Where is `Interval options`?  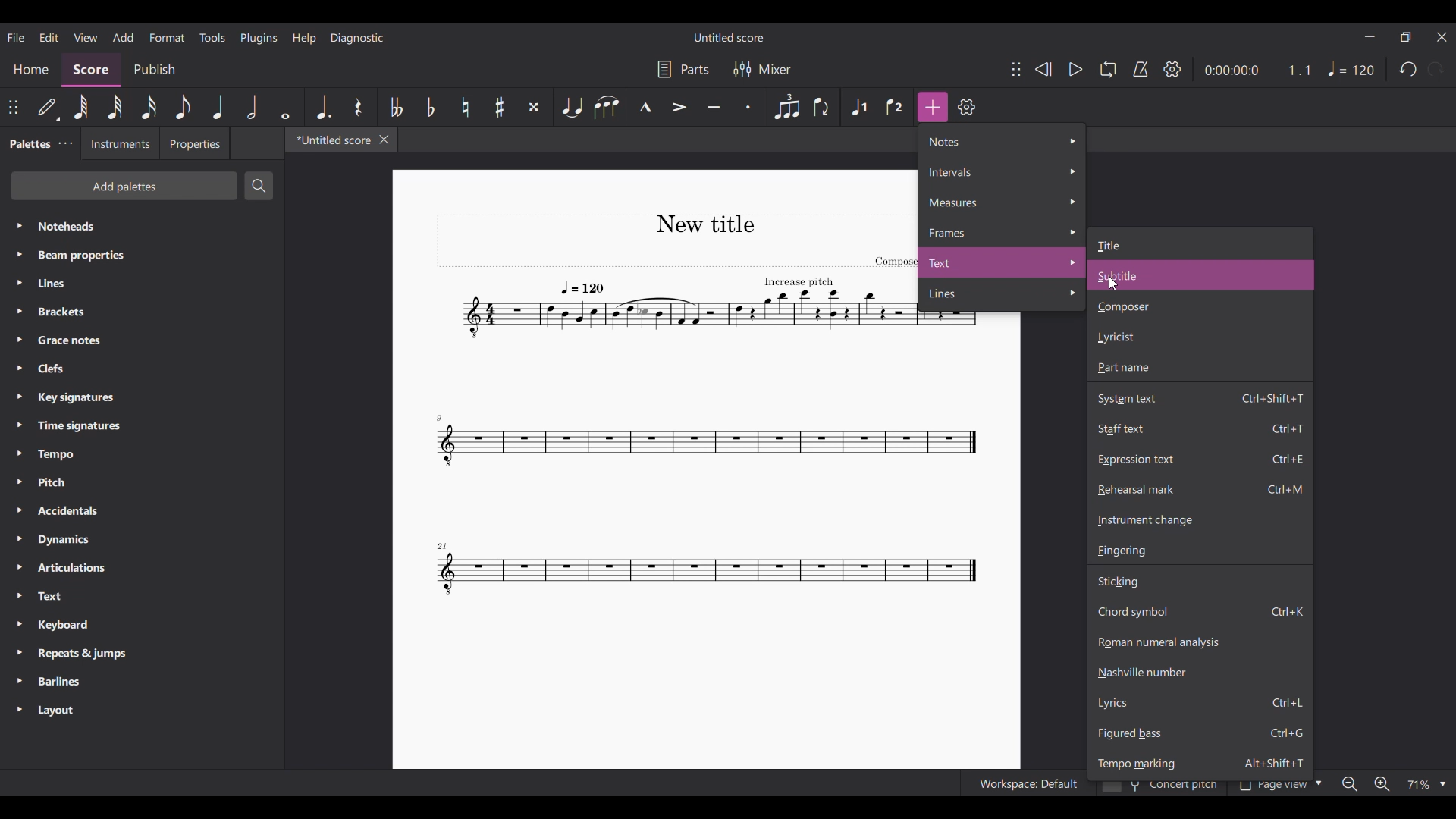
Interval options is located at coordinates (1003, 171).